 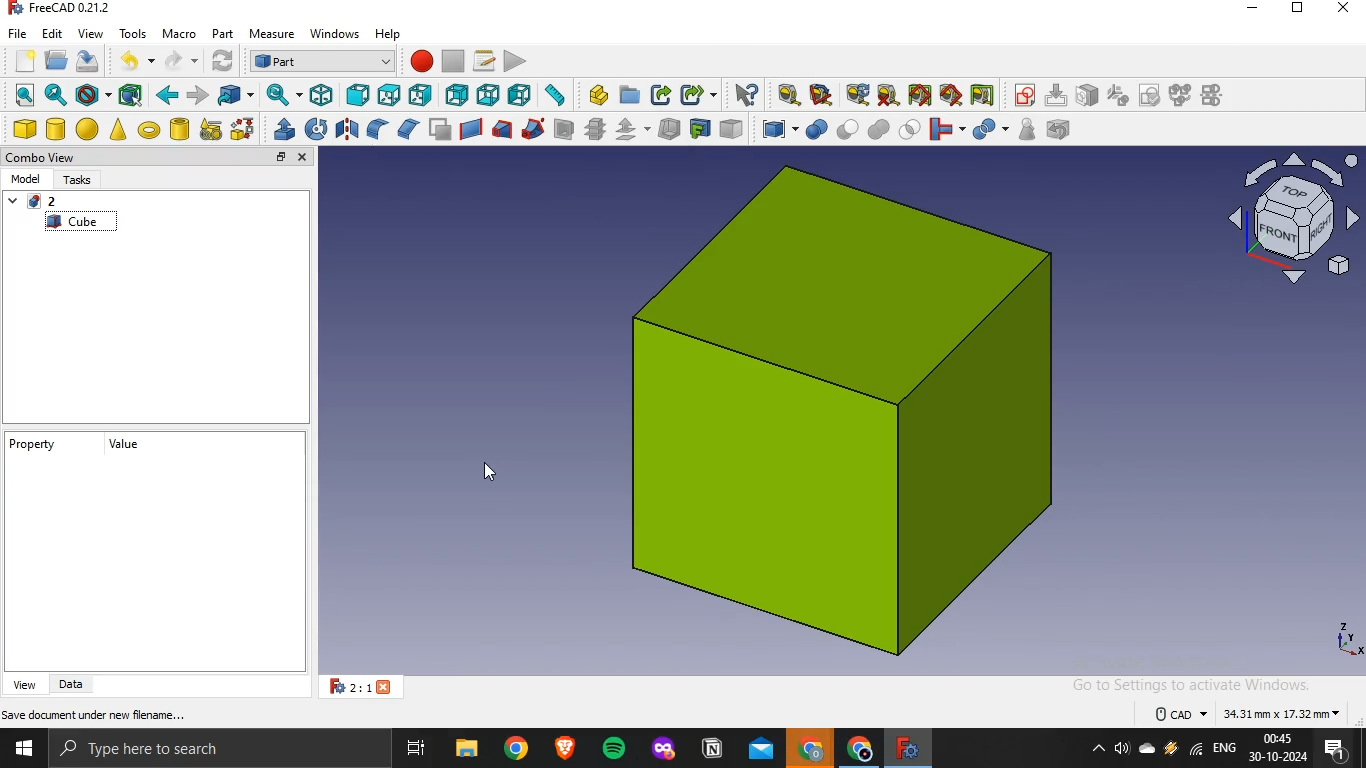 I want to click on fillet, so click(x=375, y=130).